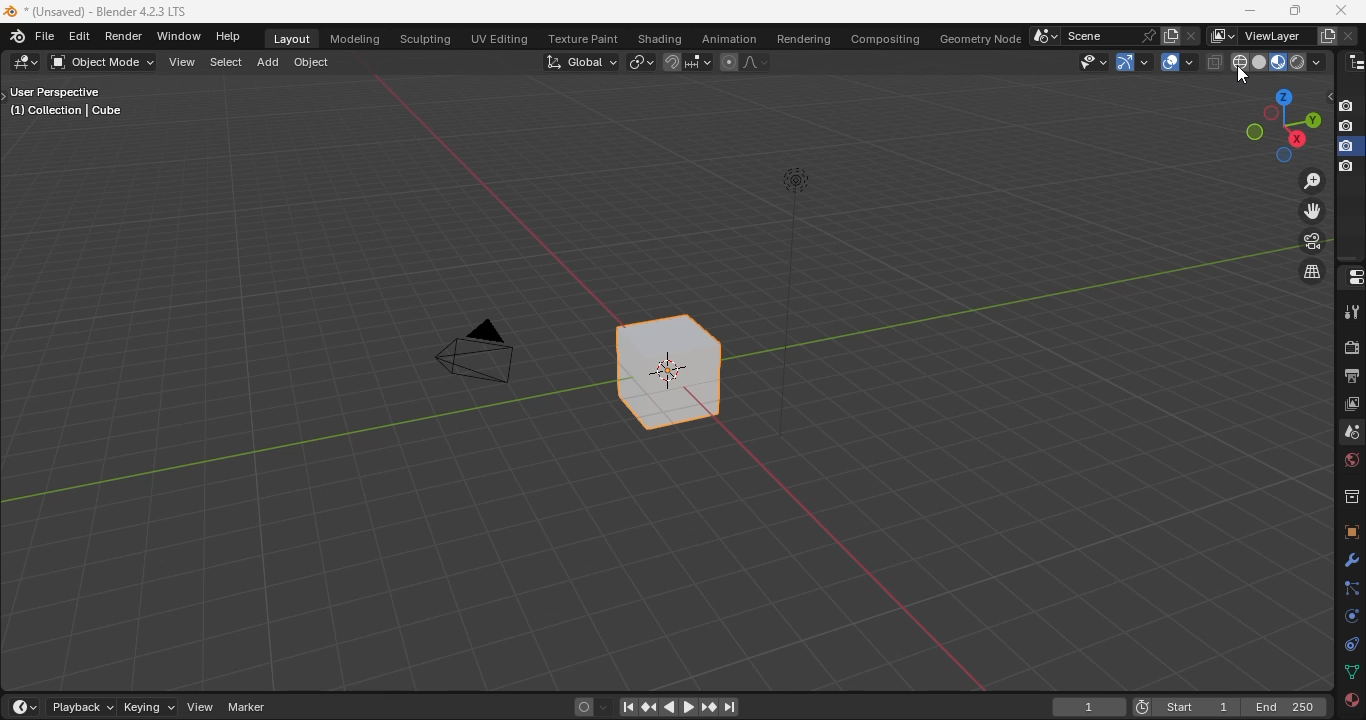  I want to click on Material, so click(1348, 704).